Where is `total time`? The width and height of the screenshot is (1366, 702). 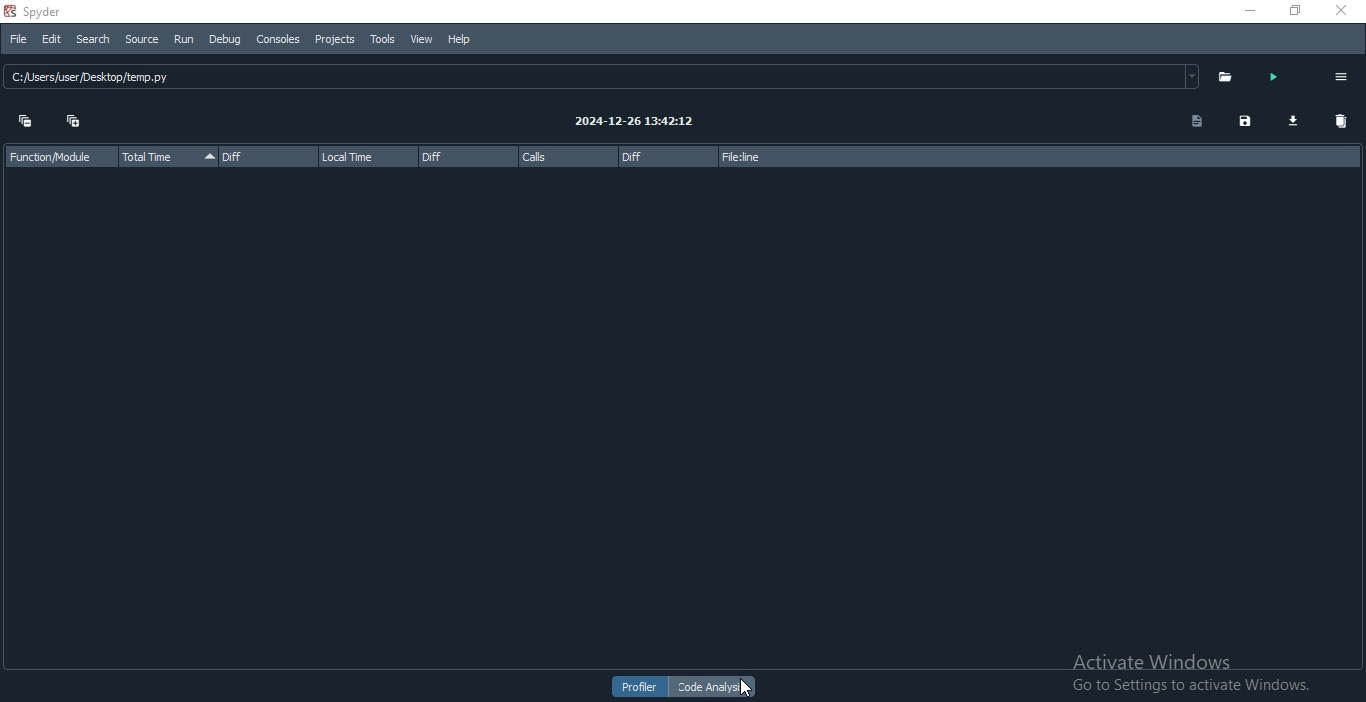 total time is located at coordinates (168, 157).